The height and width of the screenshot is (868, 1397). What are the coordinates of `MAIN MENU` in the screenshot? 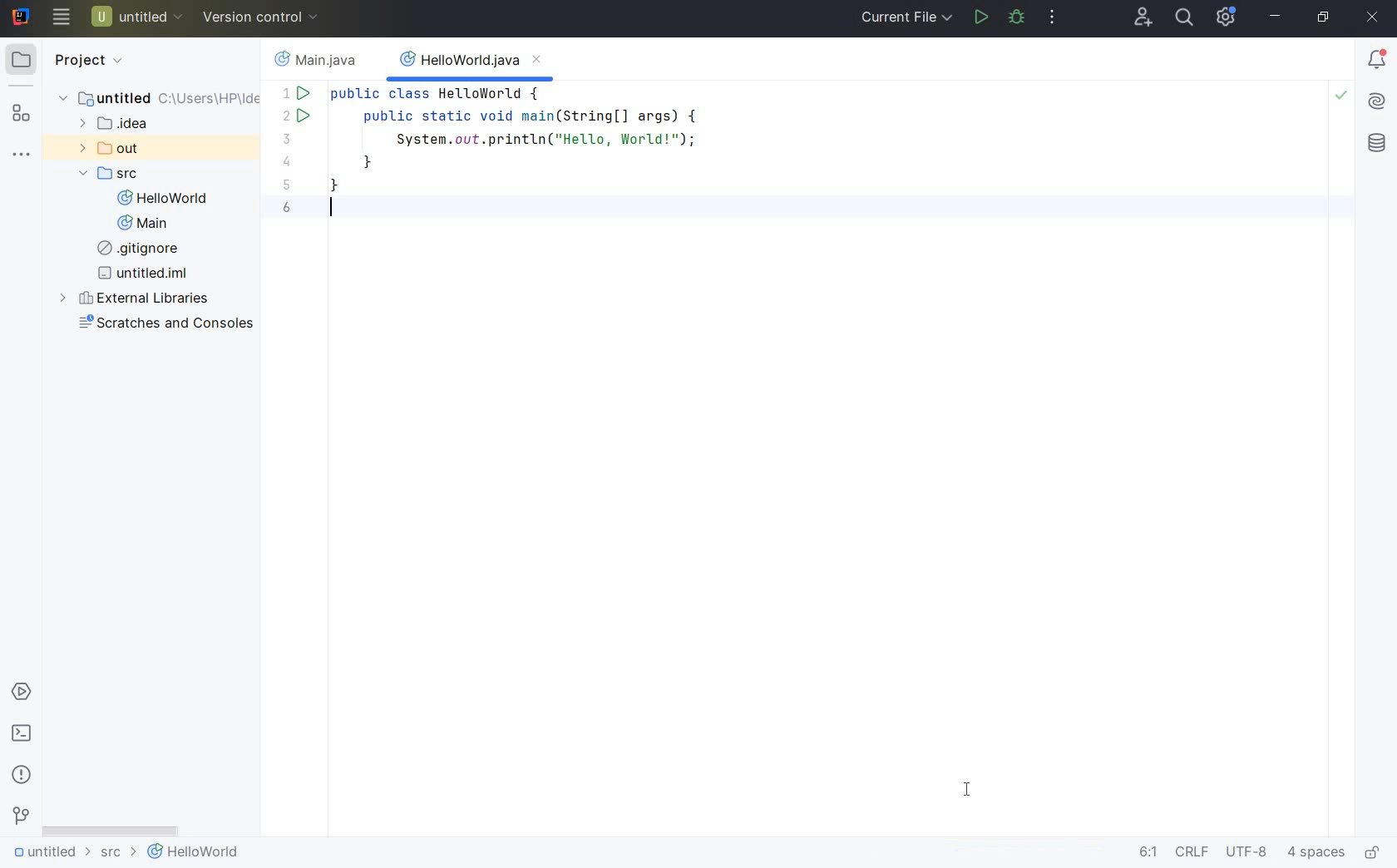 It's located at (60, 17).